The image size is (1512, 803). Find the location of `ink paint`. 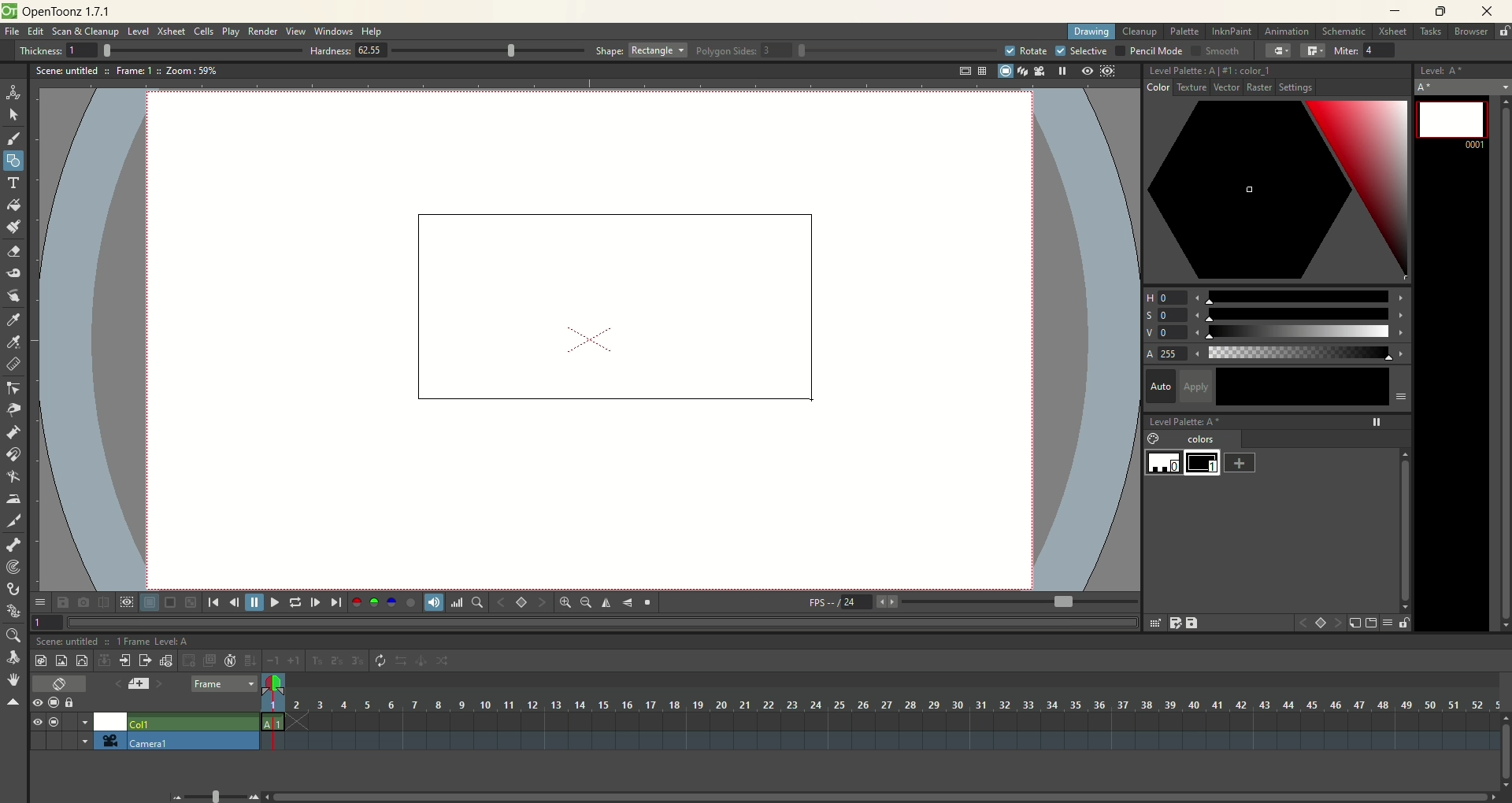

ink paint is located at coordinates (1232, 31).